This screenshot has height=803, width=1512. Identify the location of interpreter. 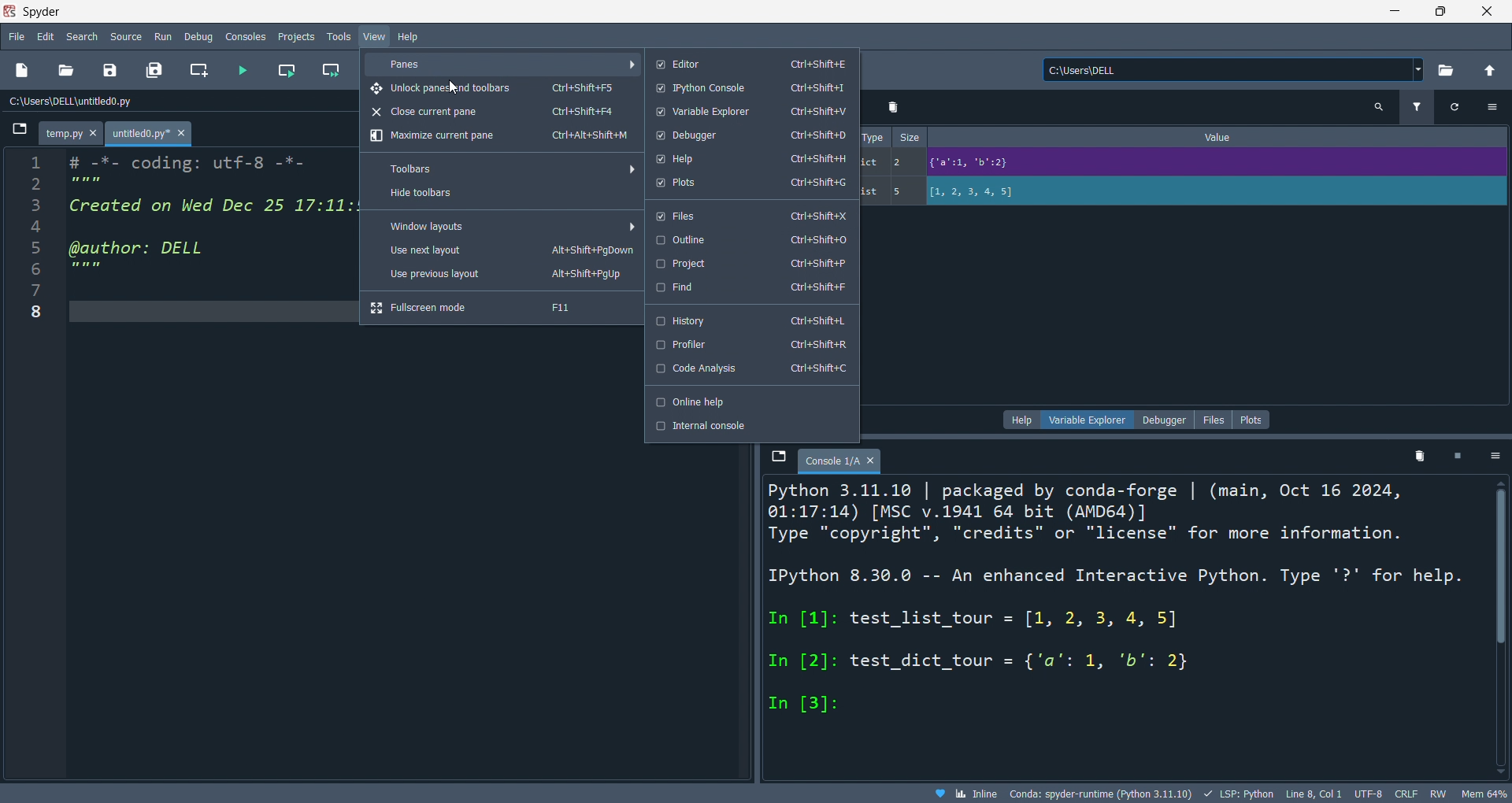
(1102, 794).